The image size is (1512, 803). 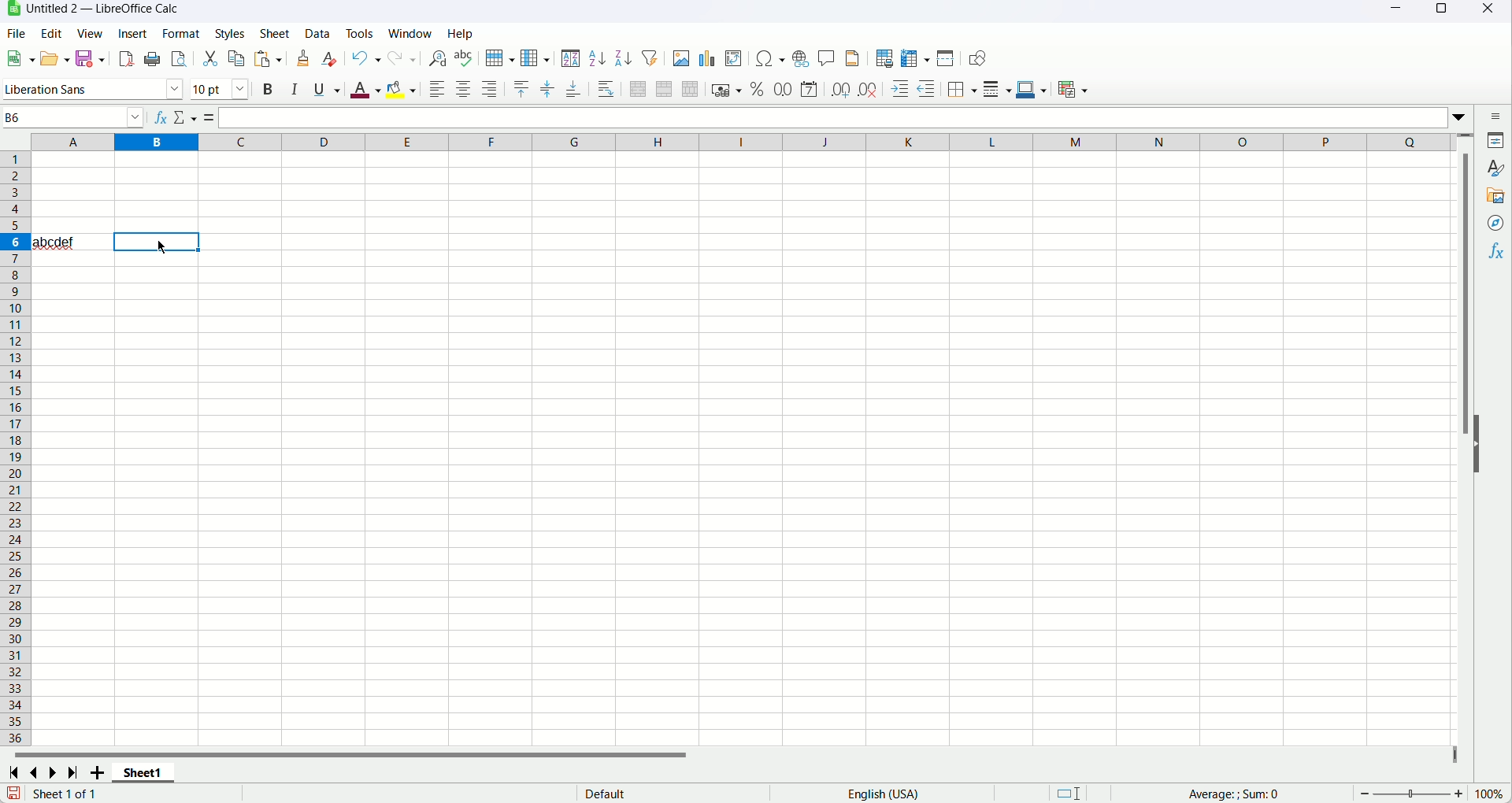 What do you see at coordinates (522, 89) in the screenshot?
I see `align top` at bounding box center [522, 89].